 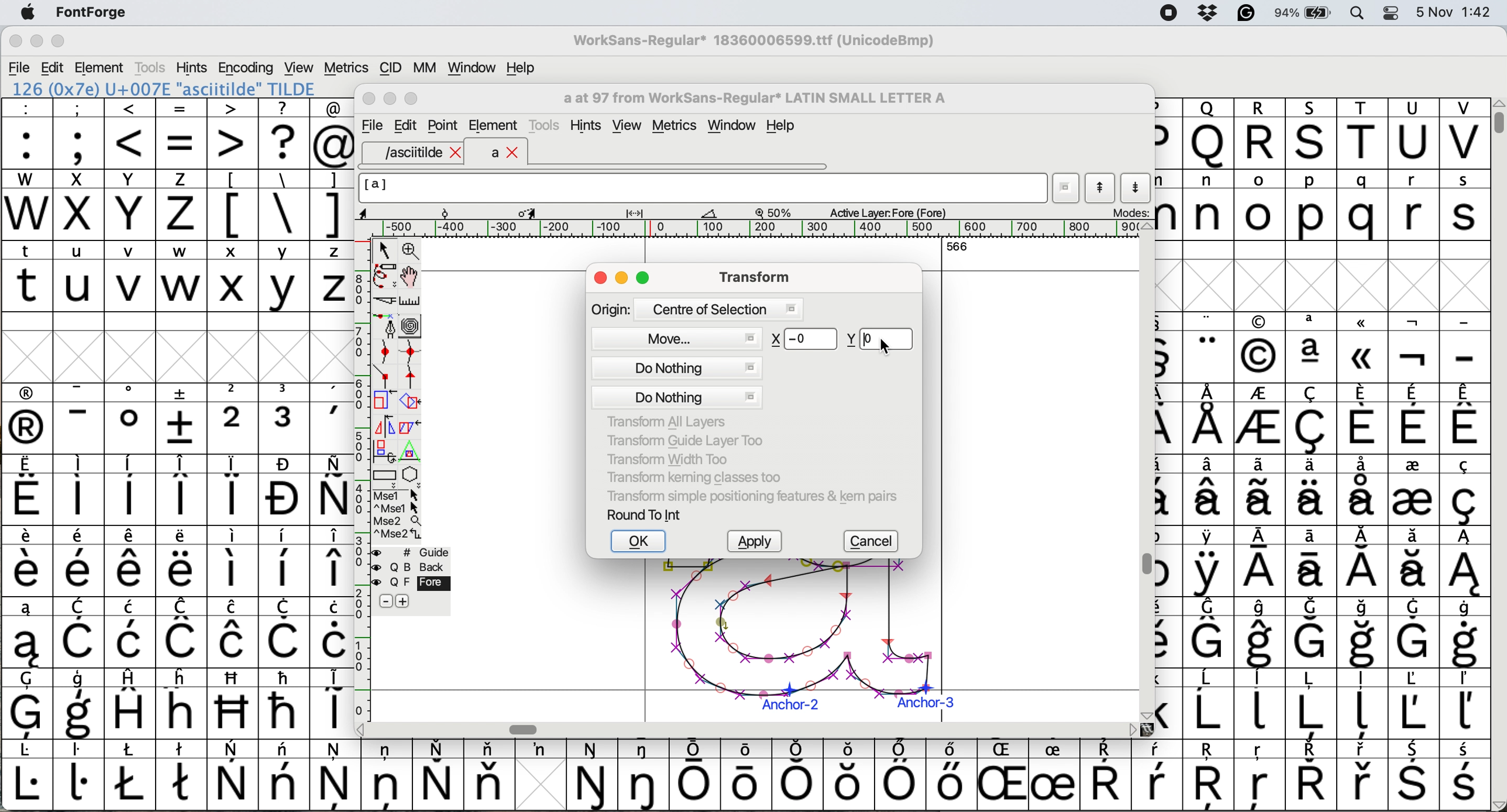 I want to click on u, so click(x=80, y=276).